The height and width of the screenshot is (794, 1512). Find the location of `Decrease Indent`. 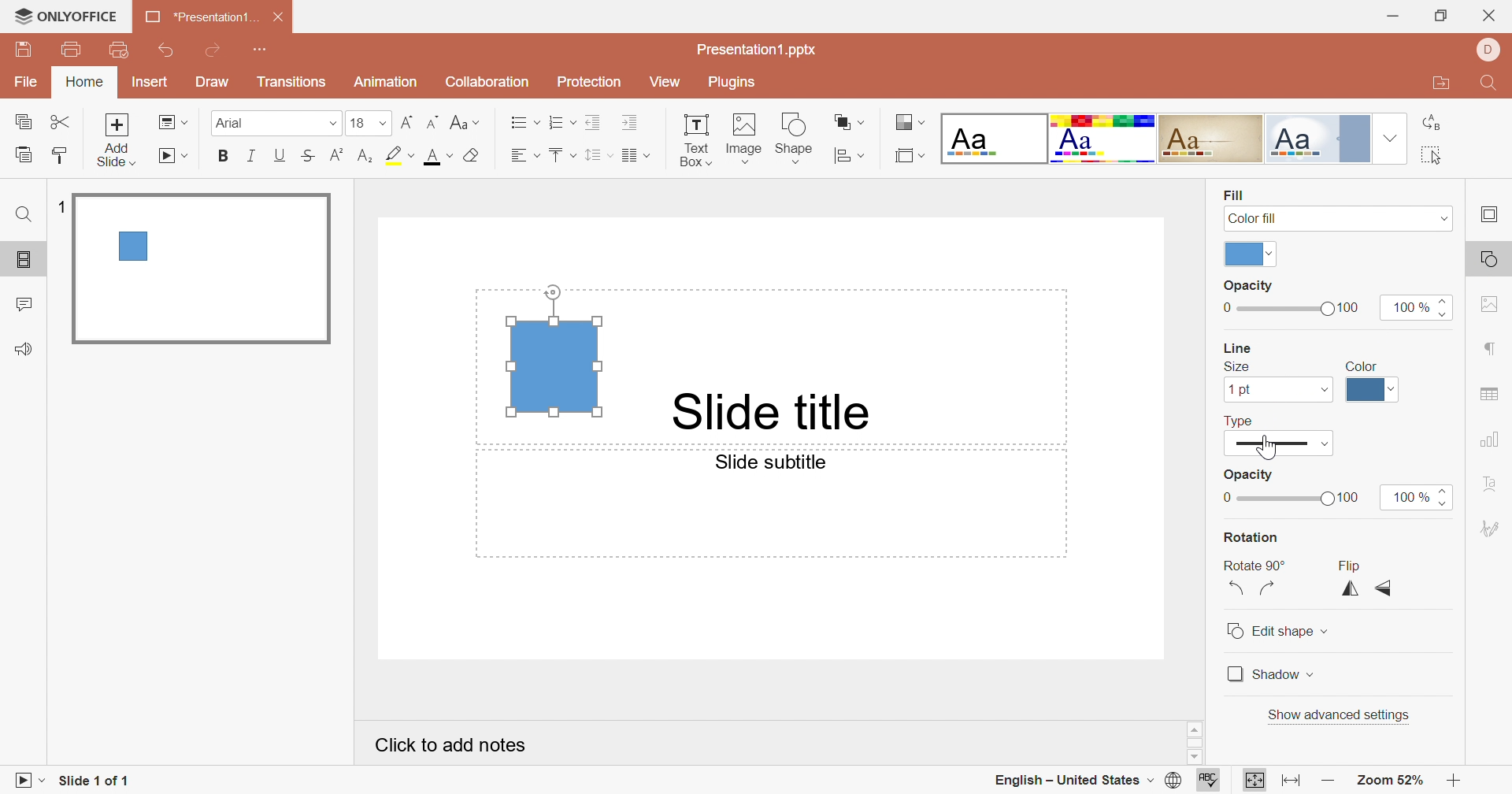

Decrease Indent is located at coordinates (595, 122).